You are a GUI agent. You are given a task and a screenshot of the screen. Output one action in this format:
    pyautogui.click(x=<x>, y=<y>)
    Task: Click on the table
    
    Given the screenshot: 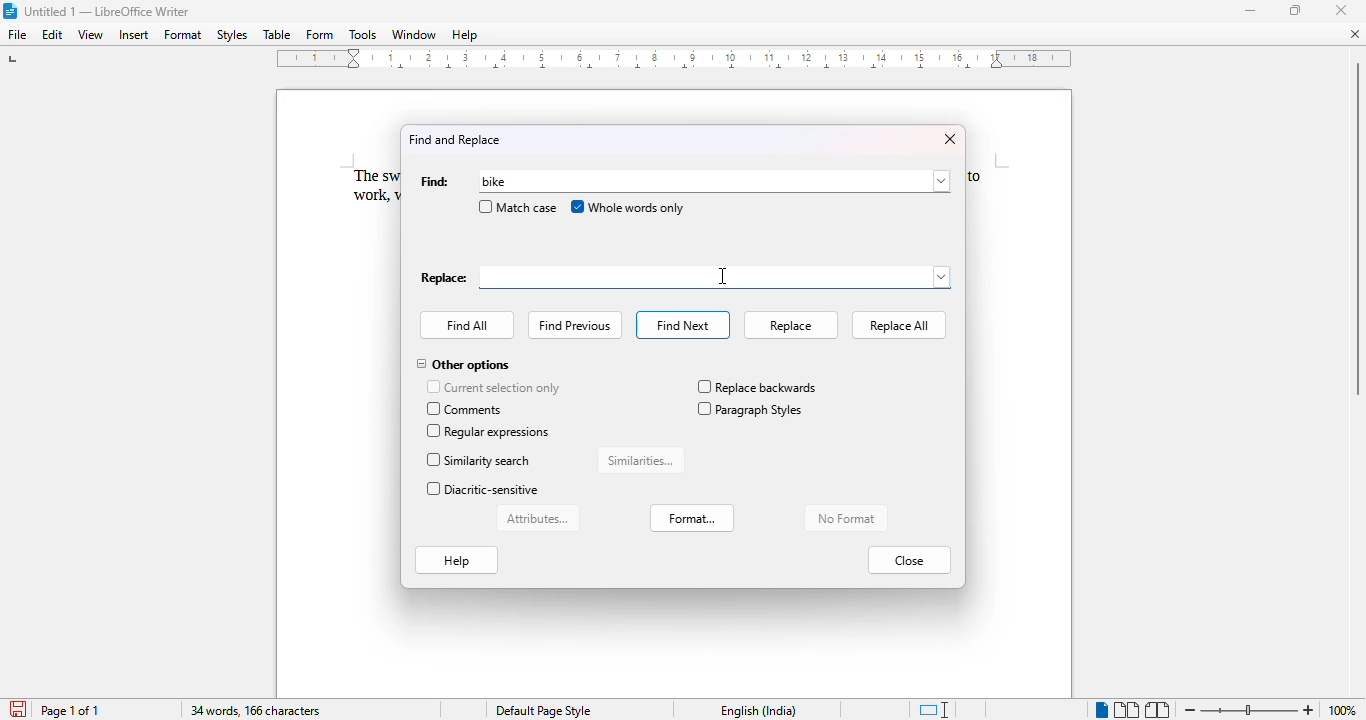 What is the action you would take?
    pyautogui.click(x=276, y=35)
    